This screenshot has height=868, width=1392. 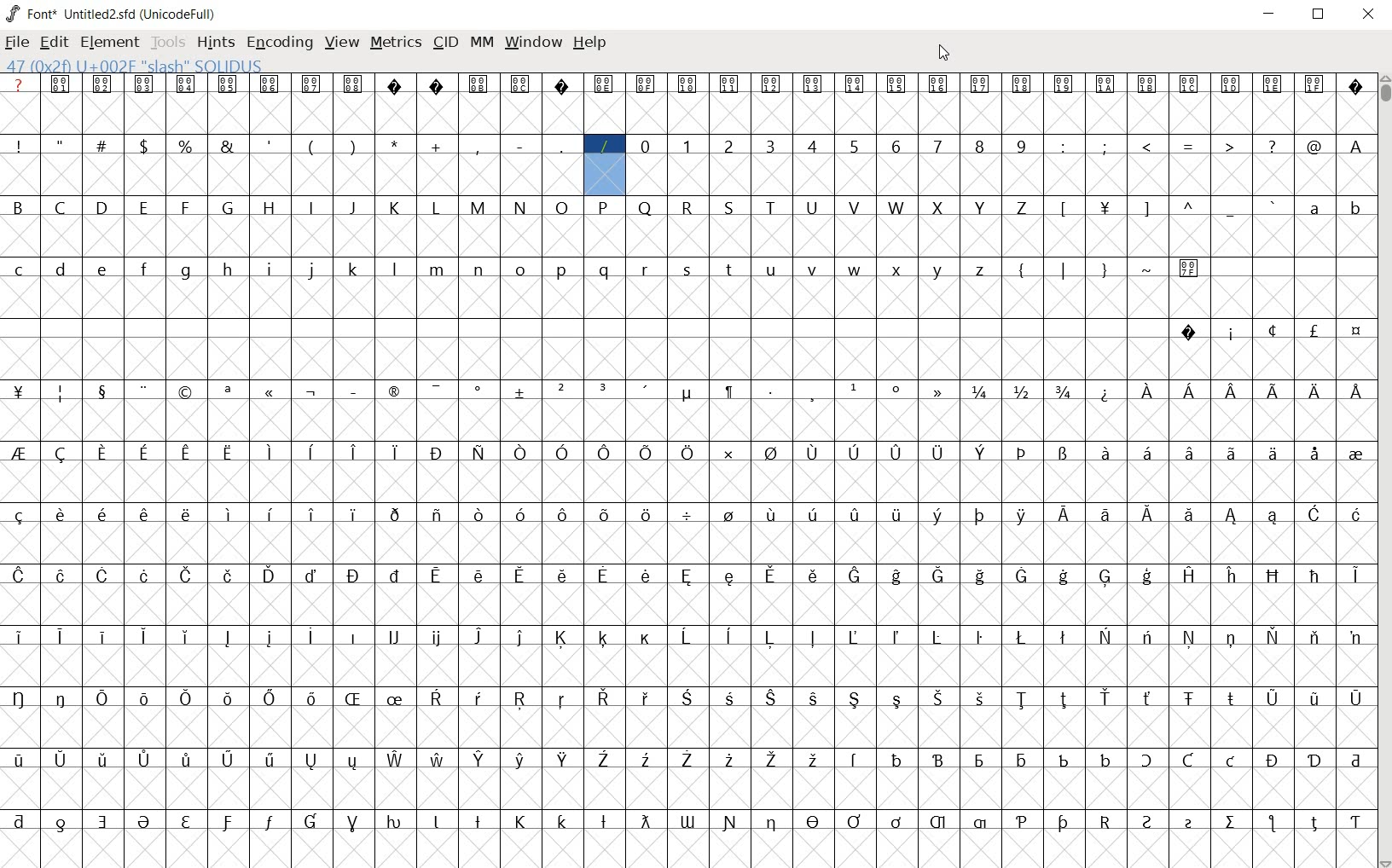 What do you see at coordinates (102, 453) in the screenshot?
I see `glyph` at bounding box center [102, 453].